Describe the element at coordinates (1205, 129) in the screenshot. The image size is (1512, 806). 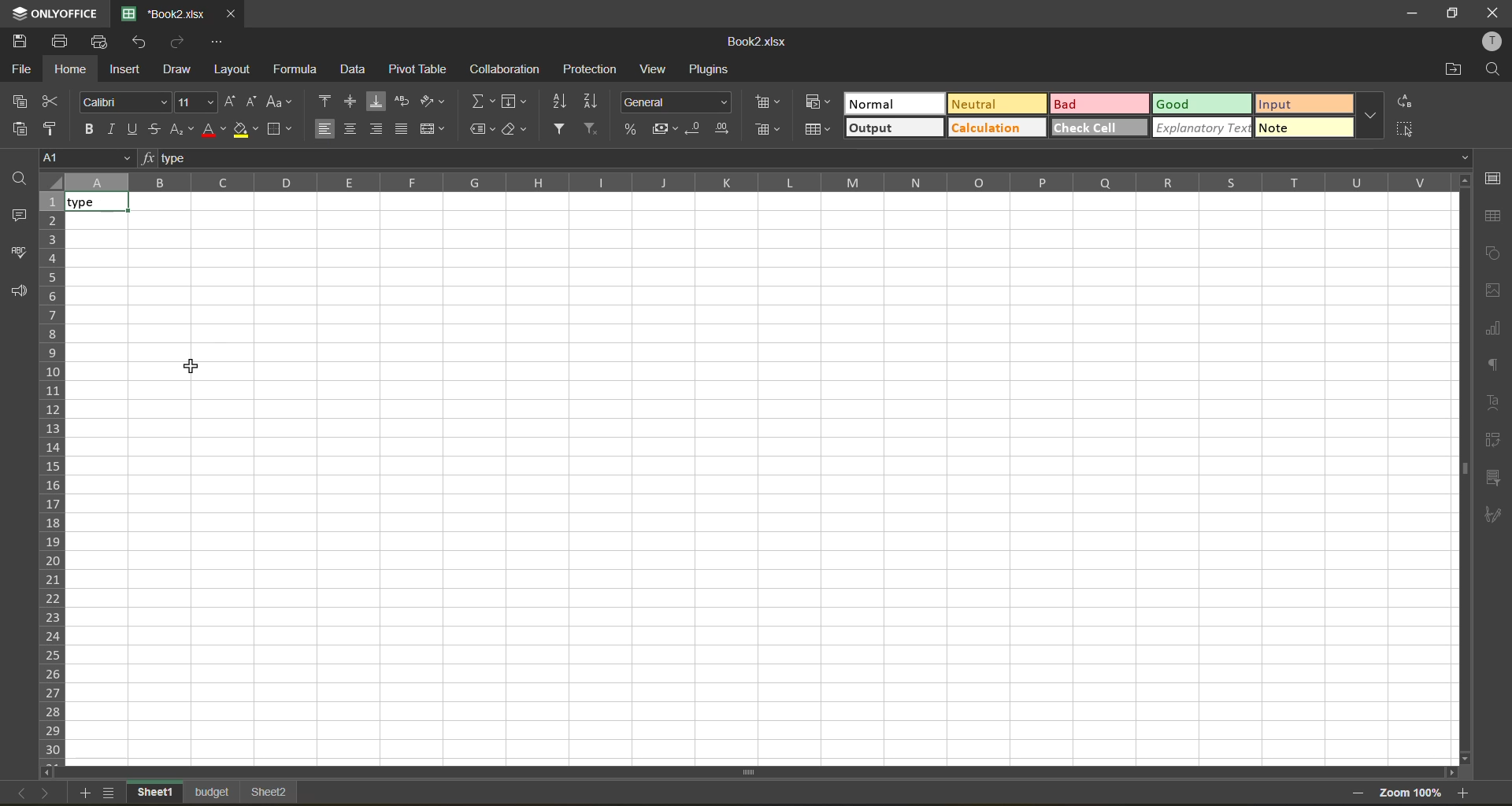
I see `explanatory text` at that location.